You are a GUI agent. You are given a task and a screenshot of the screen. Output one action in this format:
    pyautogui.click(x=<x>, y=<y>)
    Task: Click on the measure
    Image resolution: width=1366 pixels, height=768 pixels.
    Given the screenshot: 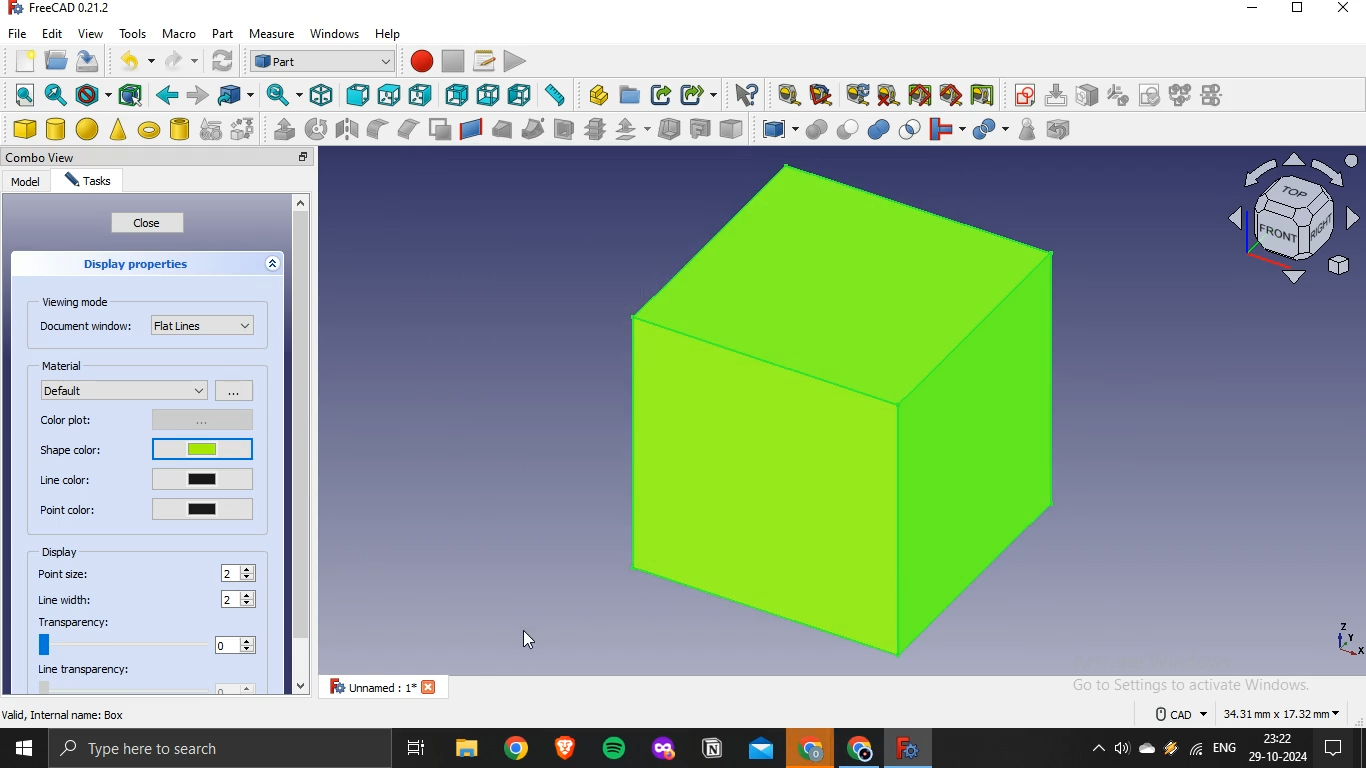 What is the action you would take?
    pyautogui.click(x=272, y=35)
    